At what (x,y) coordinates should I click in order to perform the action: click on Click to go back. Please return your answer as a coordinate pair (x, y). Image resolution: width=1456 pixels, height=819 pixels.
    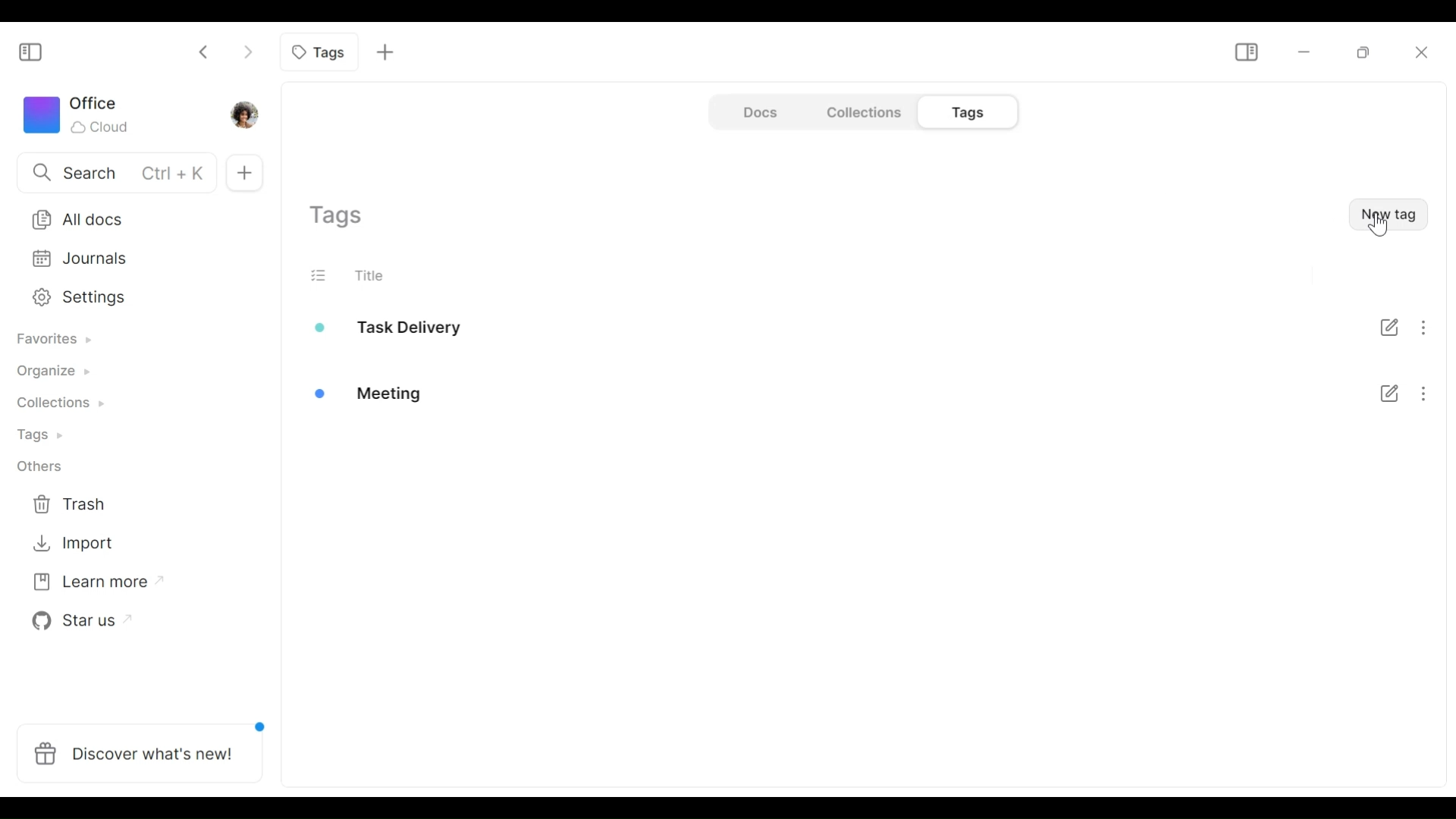
    Looking at the image, I should click on (206, 52).